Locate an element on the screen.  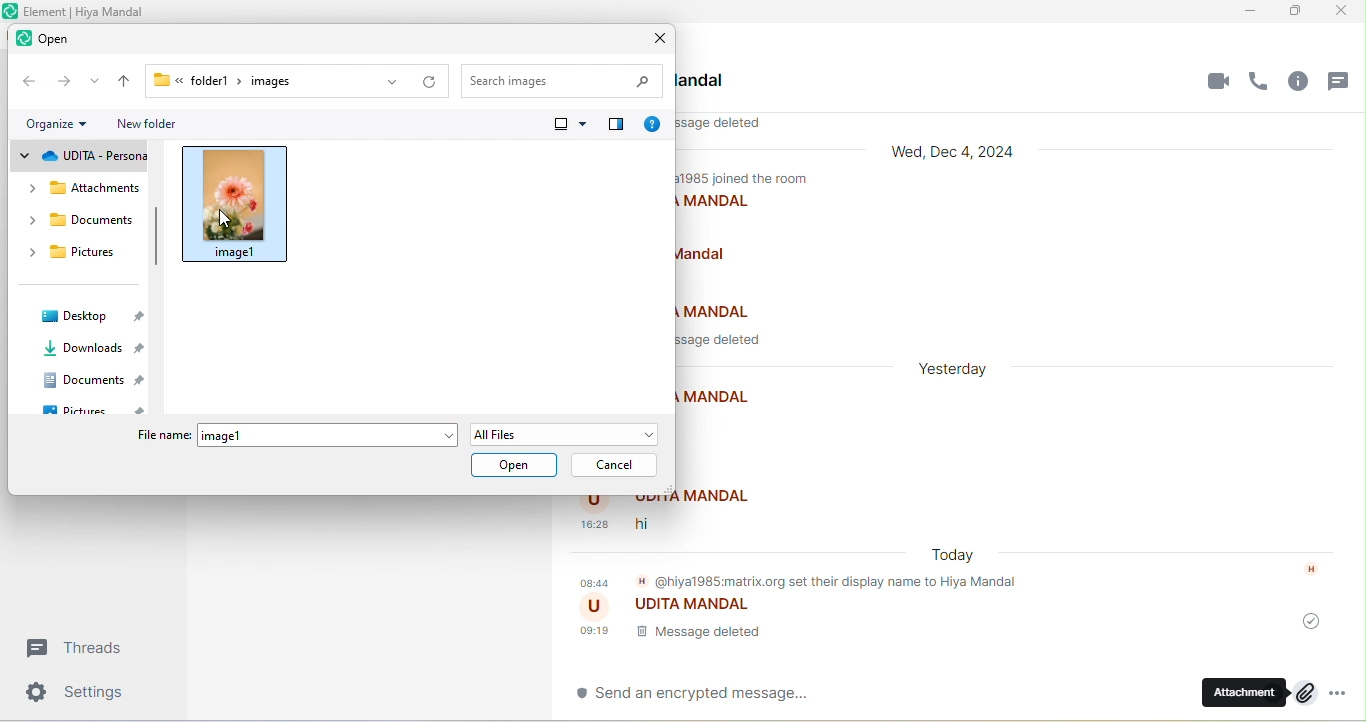
previous location is located at coordinates (388, 83).